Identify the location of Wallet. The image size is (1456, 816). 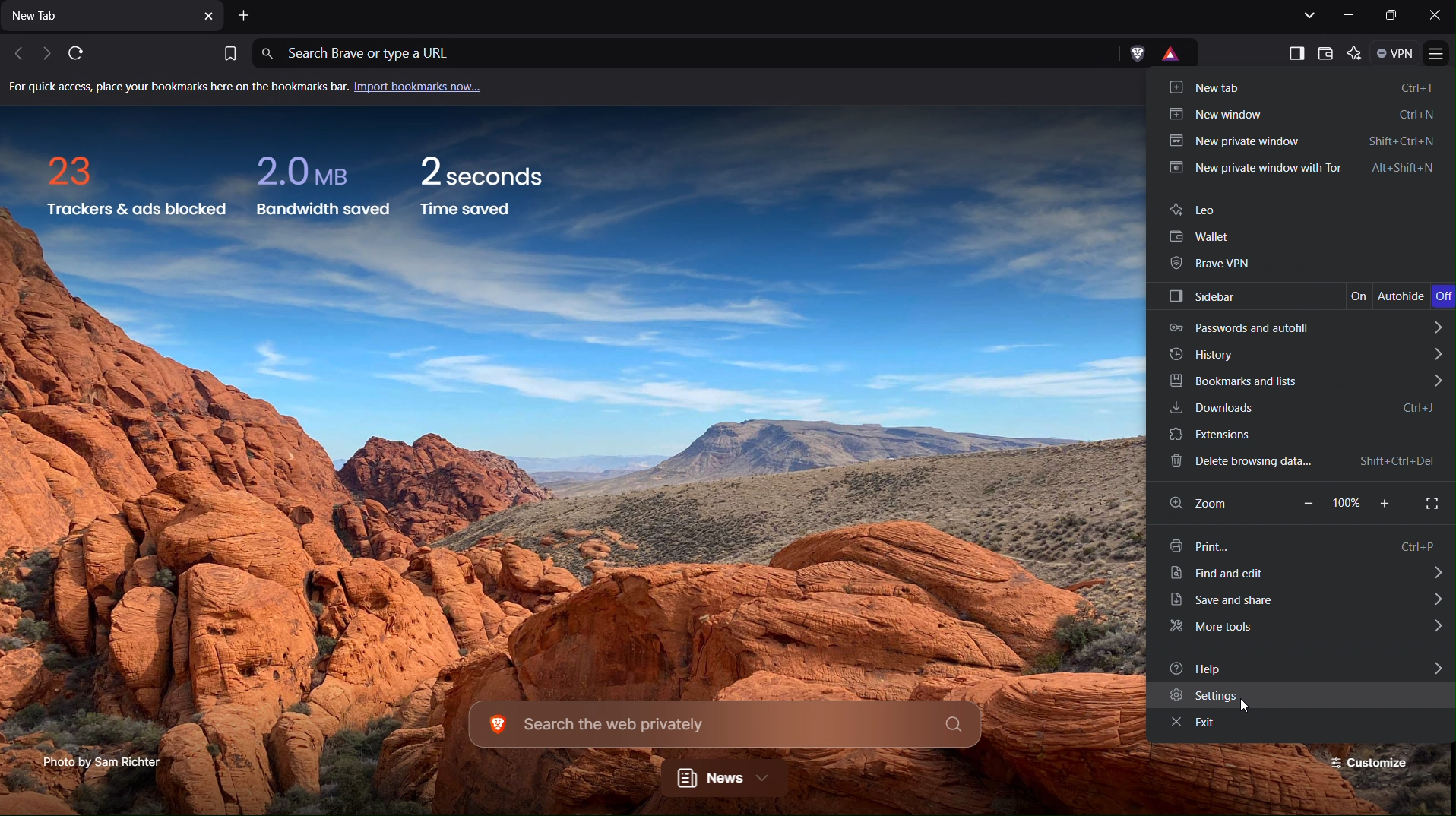
(1324, 52).